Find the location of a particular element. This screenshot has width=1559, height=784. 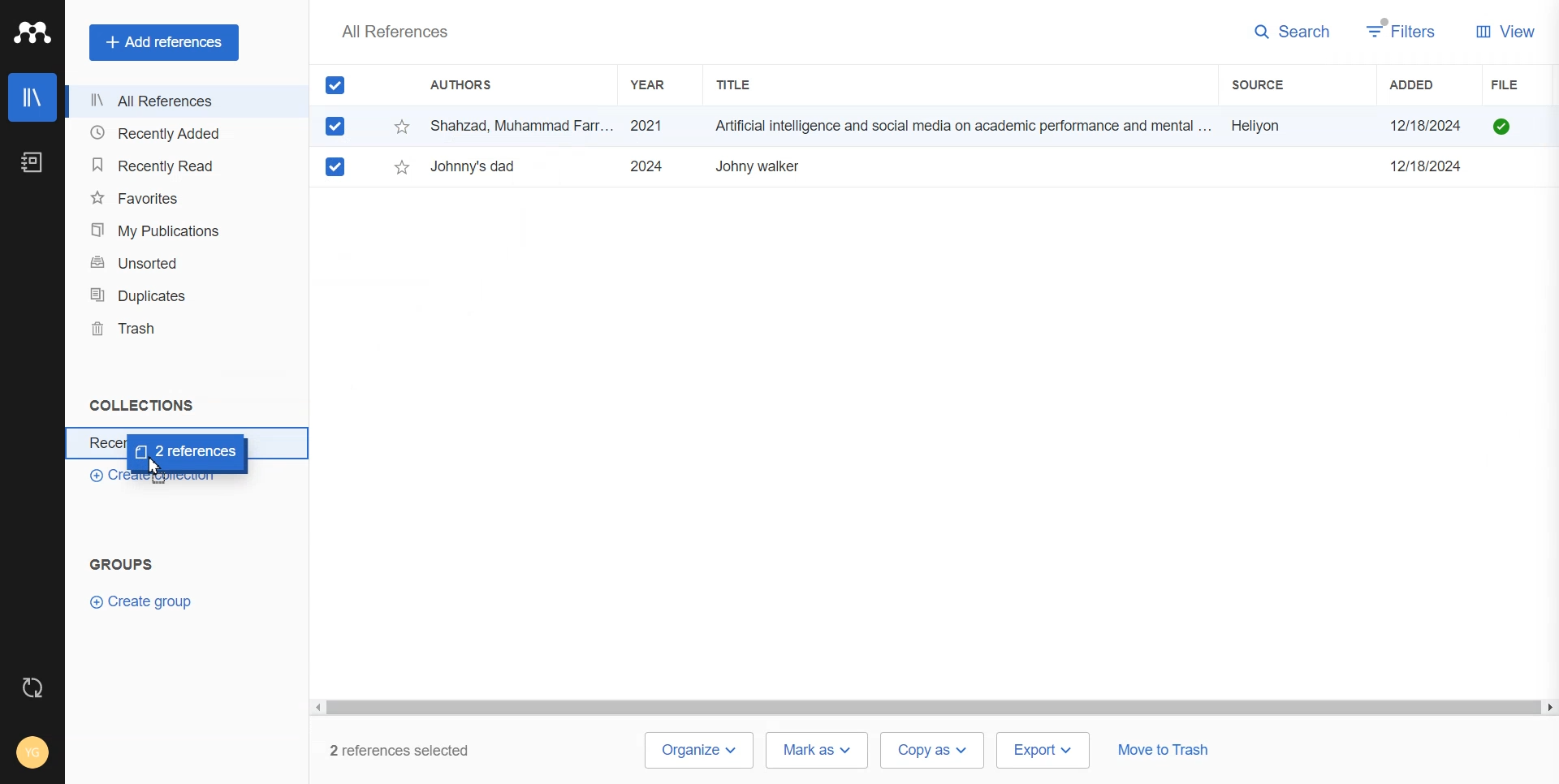

scroll right is located at coordinates (1548, 709).